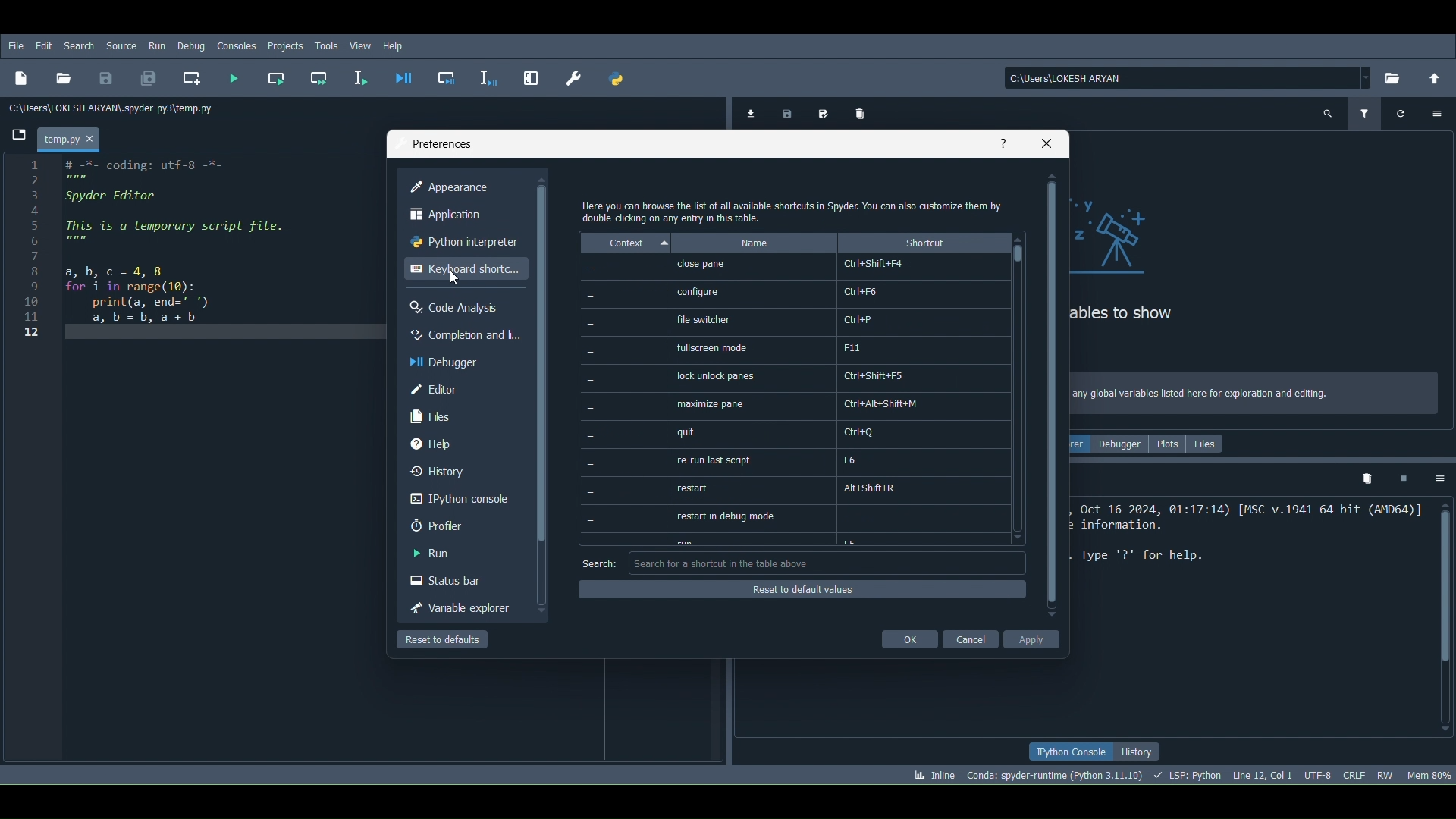 The width and height of the screenshot is (1456, 819). Describe the element at coordinates (488, 76) in the screenshot. I see `Debug selection or current line` at that location.